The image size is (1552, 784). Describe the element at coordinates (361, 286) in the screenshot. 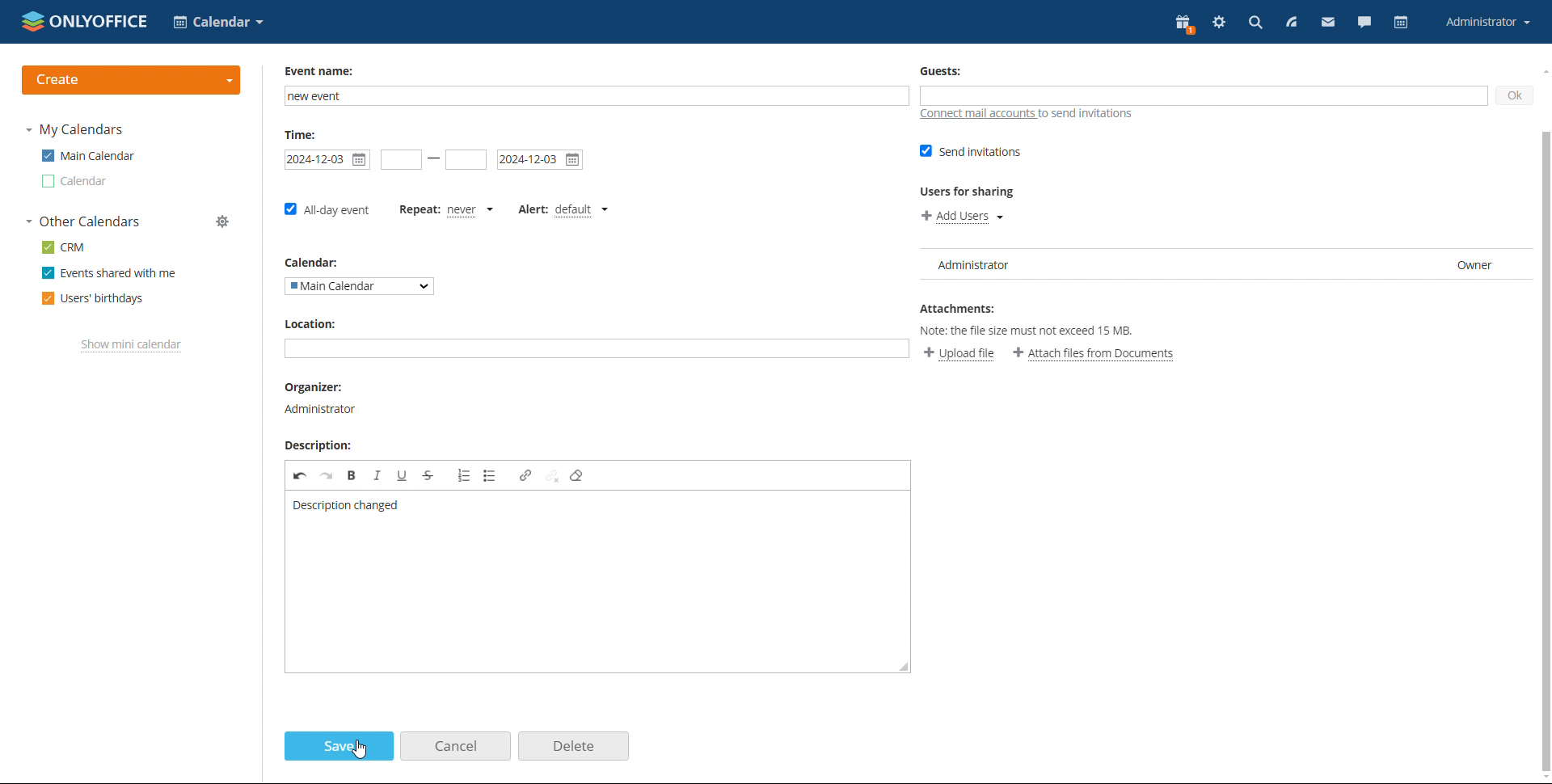

I see `select calendar` at that location.